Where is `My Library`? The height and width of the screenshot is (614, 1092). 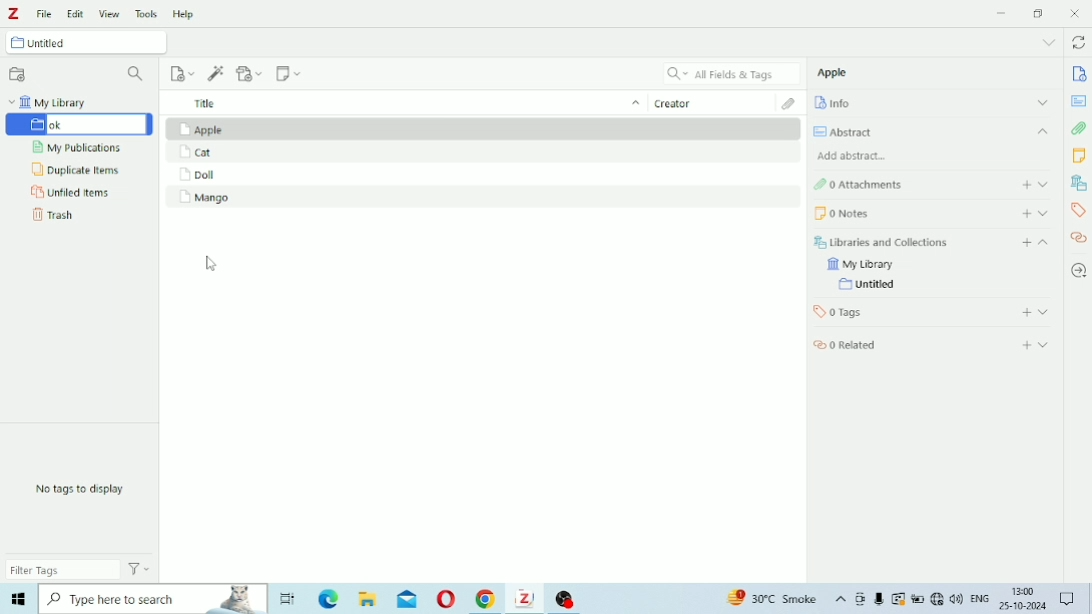
My Library is located at coordinates (50, 100).